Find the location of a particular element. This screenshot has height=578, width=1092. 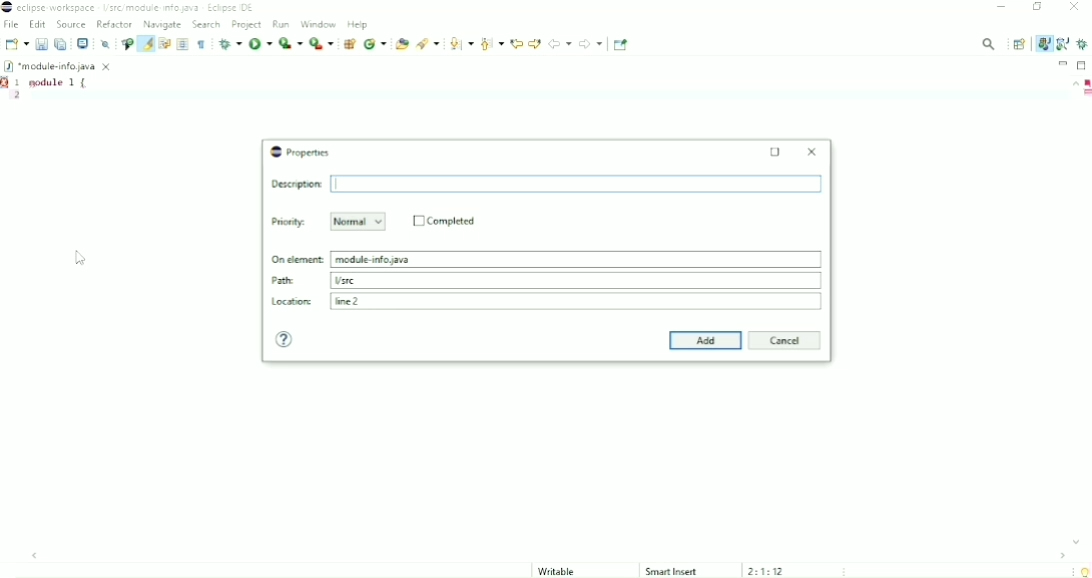

Refactor is located at coordinates (114, 24).